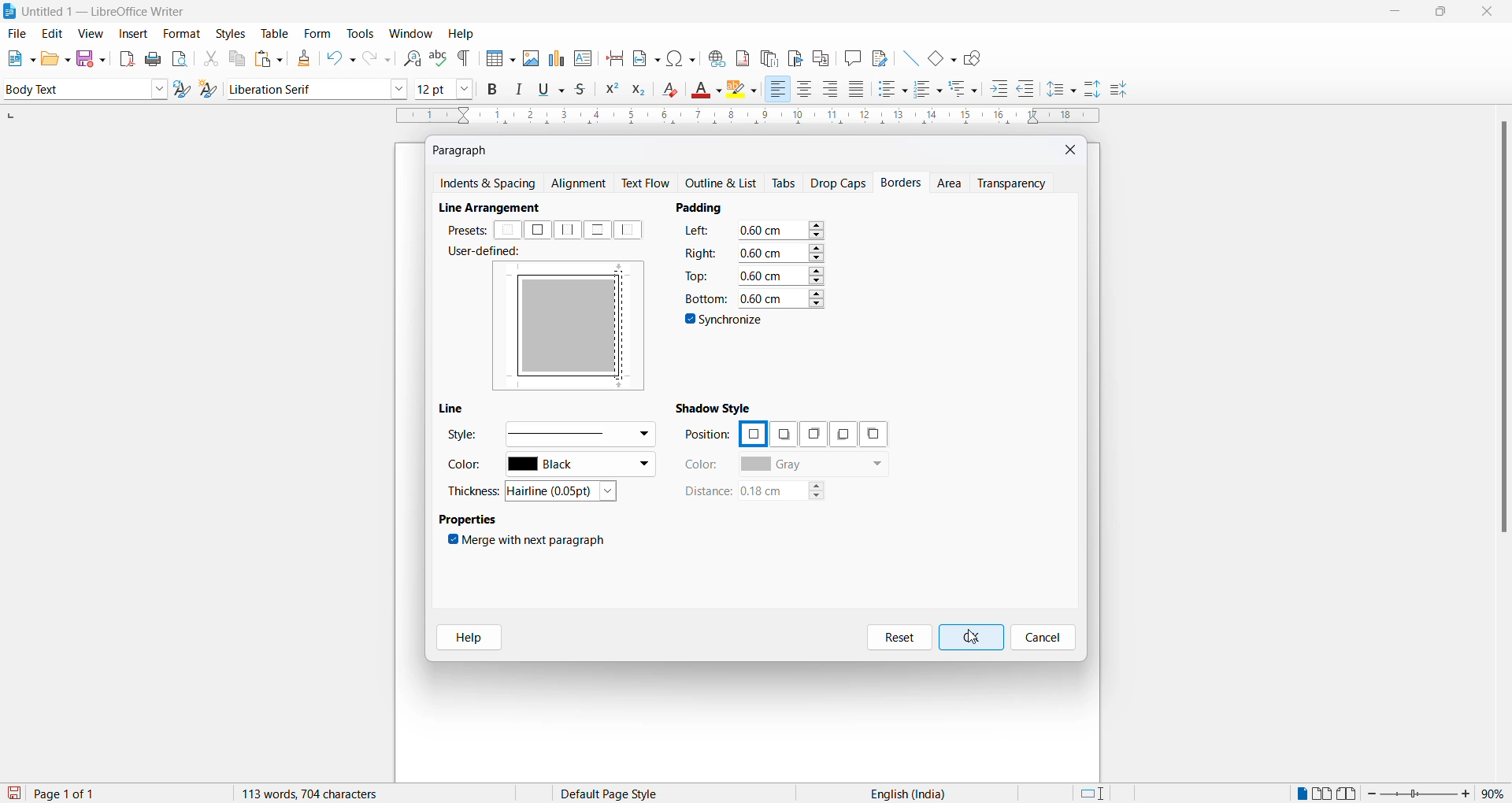  I want to click on alignment, so click(583, 184).